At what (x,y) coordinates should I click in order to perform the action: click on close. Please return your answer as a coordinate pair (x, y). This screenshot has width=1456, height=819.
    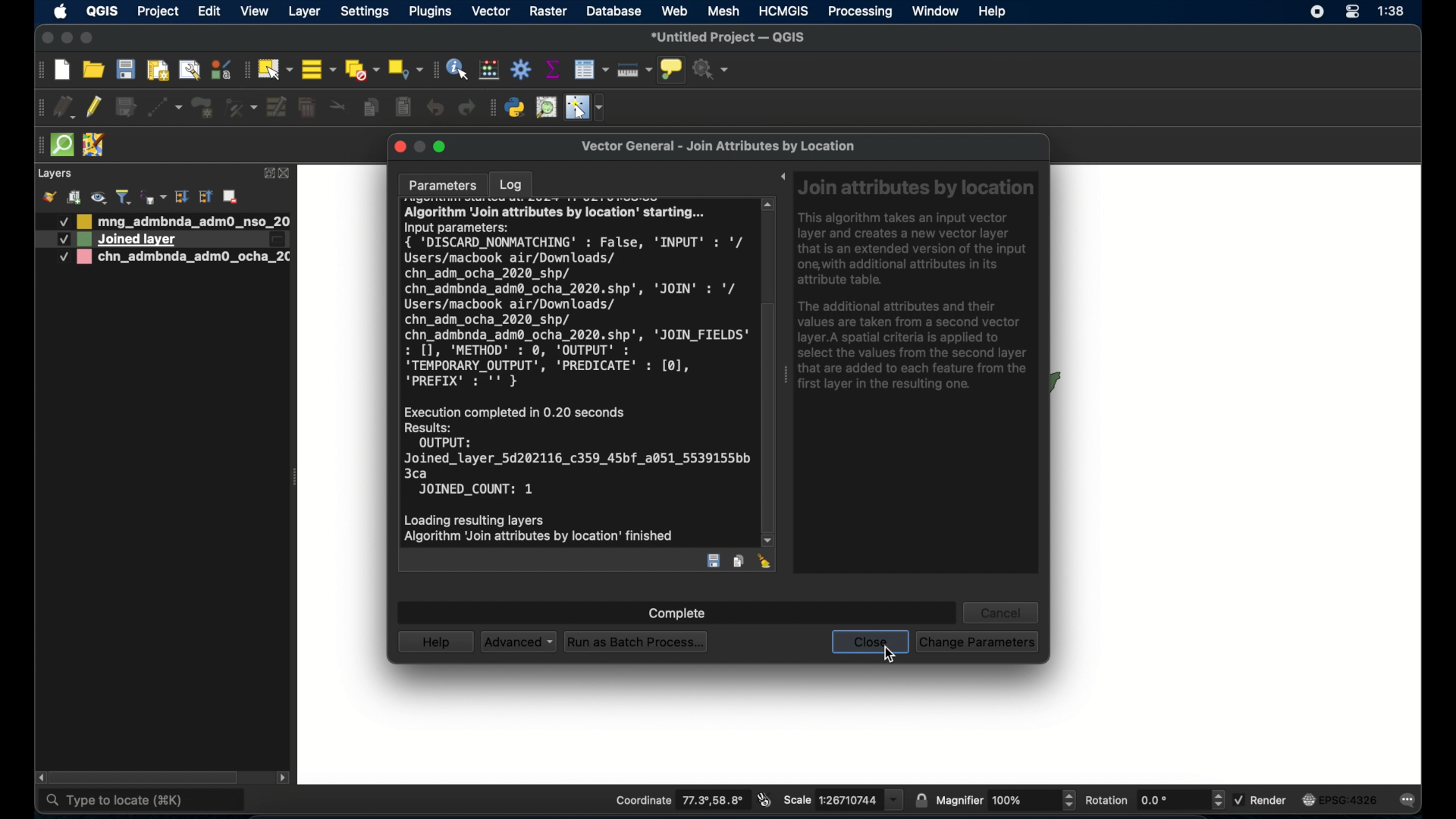
    Looking at the image, I should click on (398, 149).